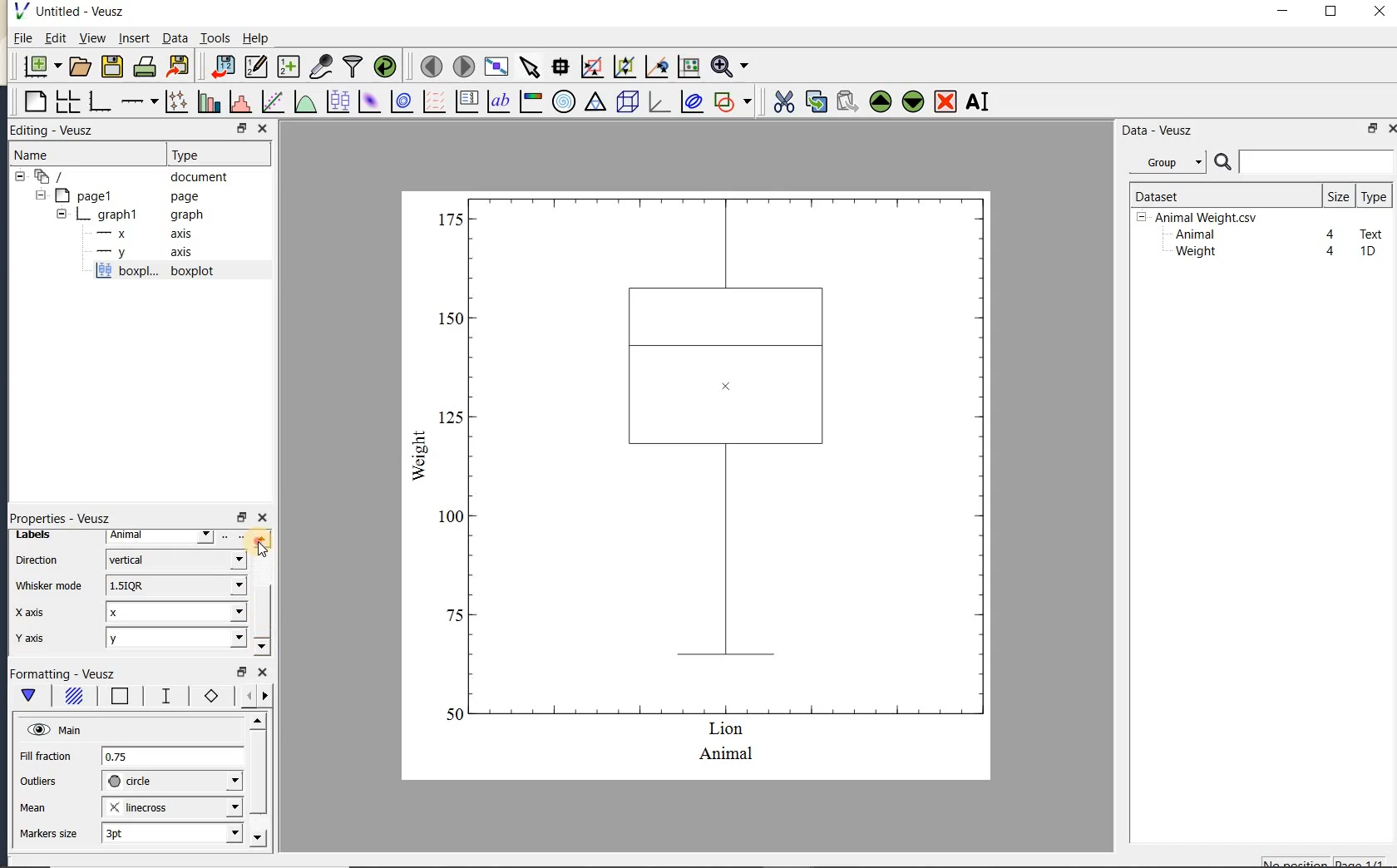  What do you see at coordinates (179, 65) in the screenshot?
I see `export to graphics format` at bounding box center [179, 65].